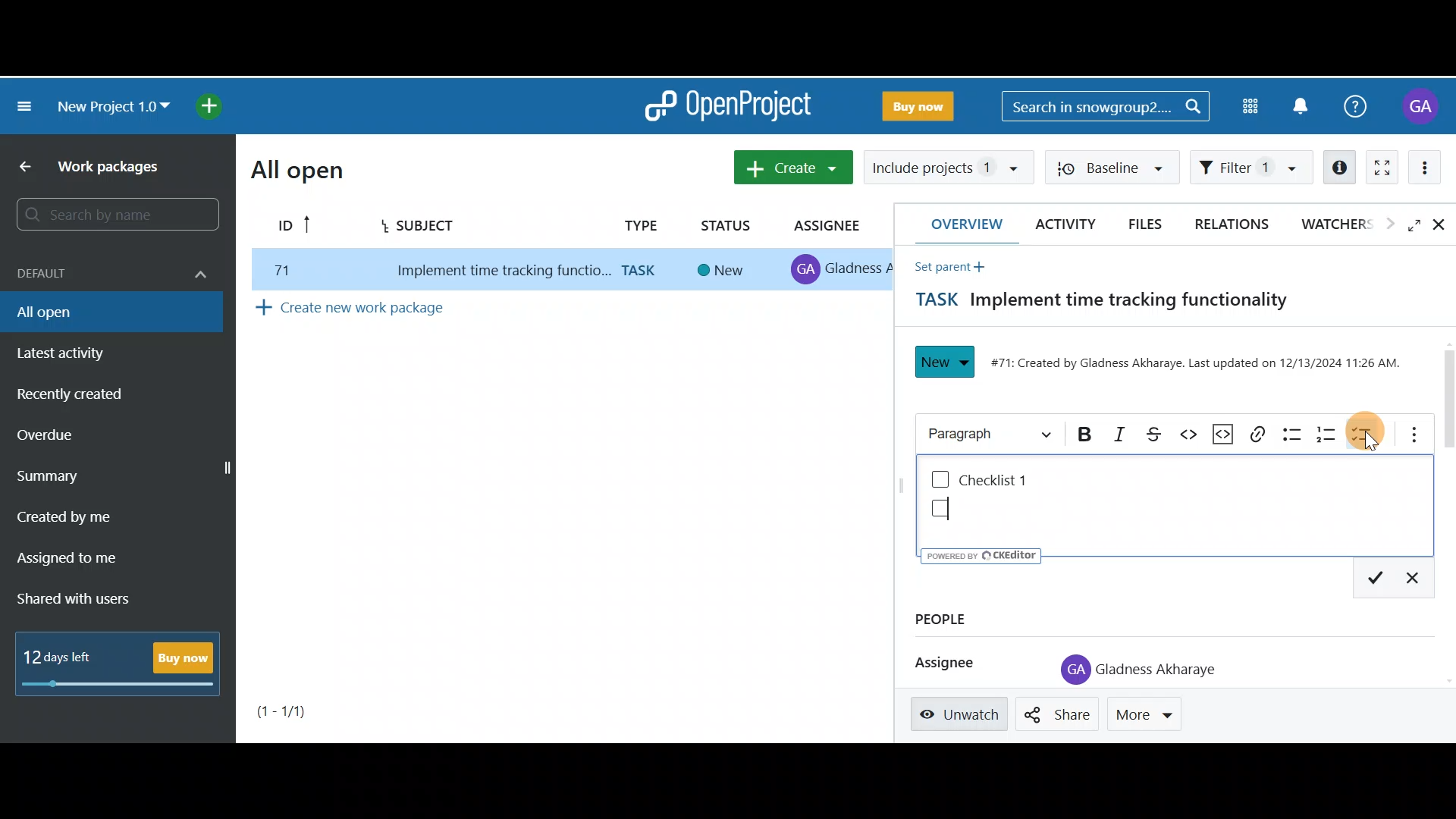 This screenshot has height=819, width=1456. Describe the element at coordinates (26, 110) in the screenshot. I see `Collapse project menu` at that location.